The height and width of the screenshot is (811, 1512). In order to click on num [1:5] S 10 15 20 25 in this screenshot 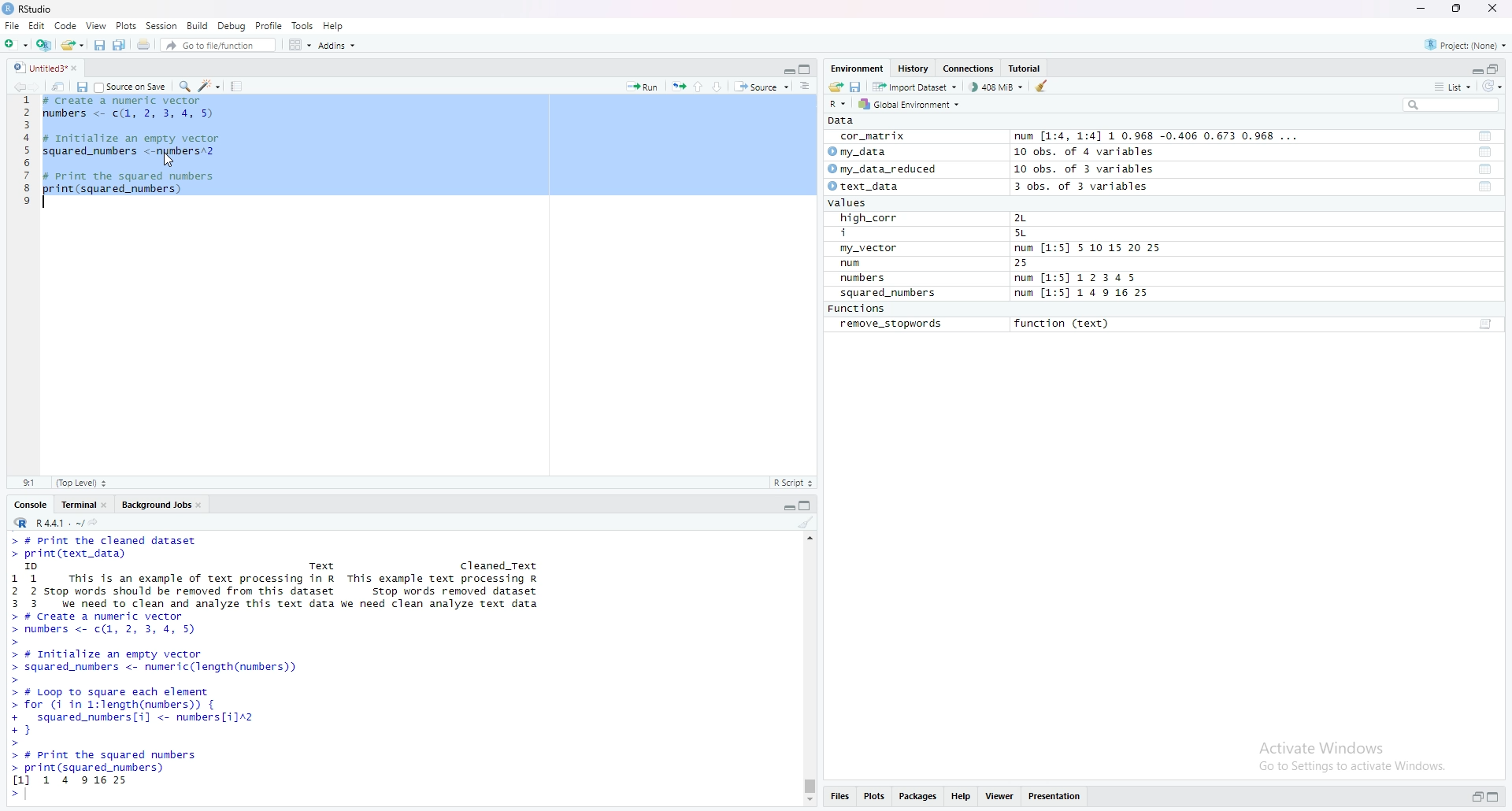, I will do `click(1088, 249)`.